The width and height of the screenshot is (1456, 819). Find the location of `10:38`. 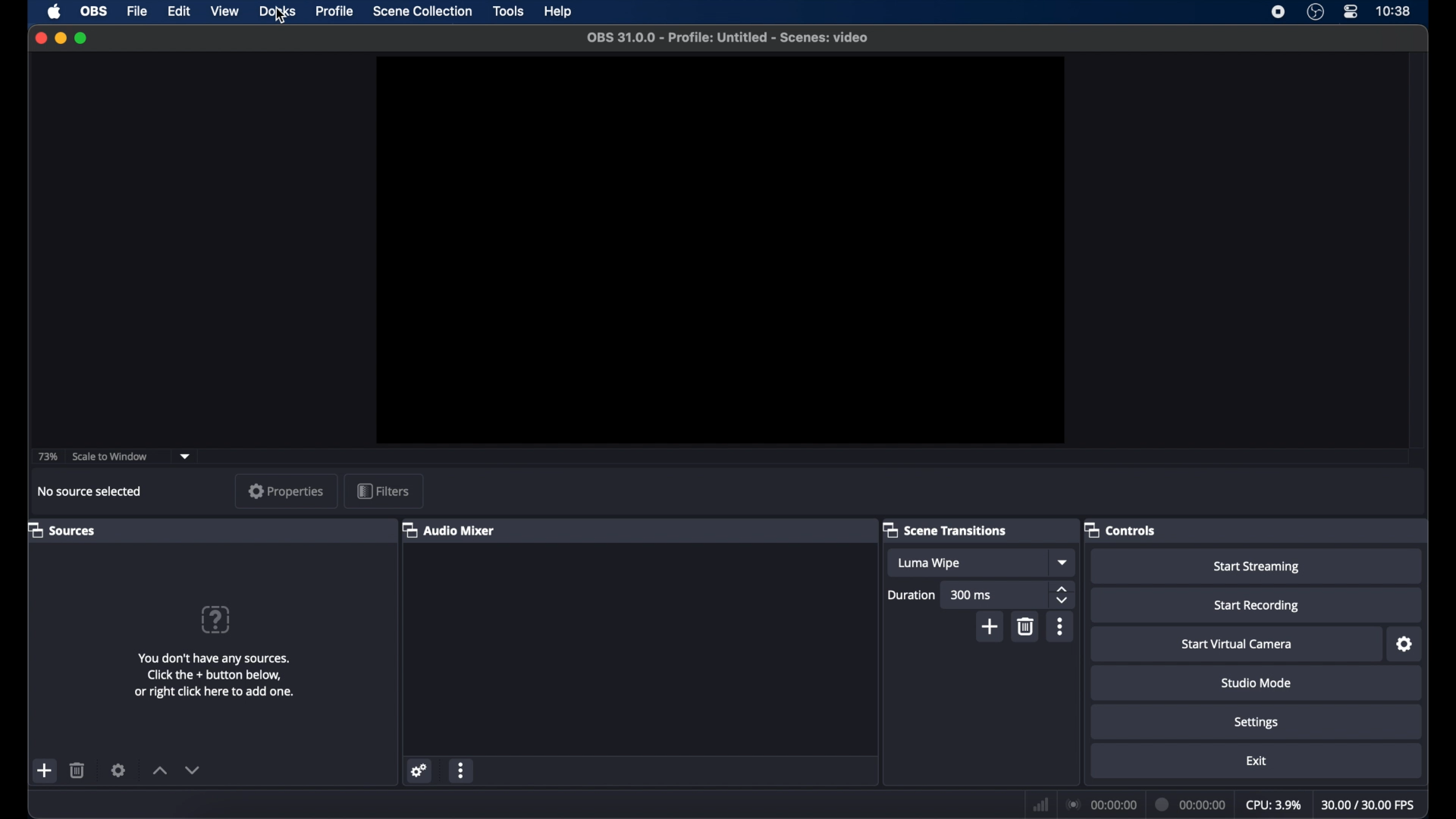

10:38 is located at coordinates (1394, 10).